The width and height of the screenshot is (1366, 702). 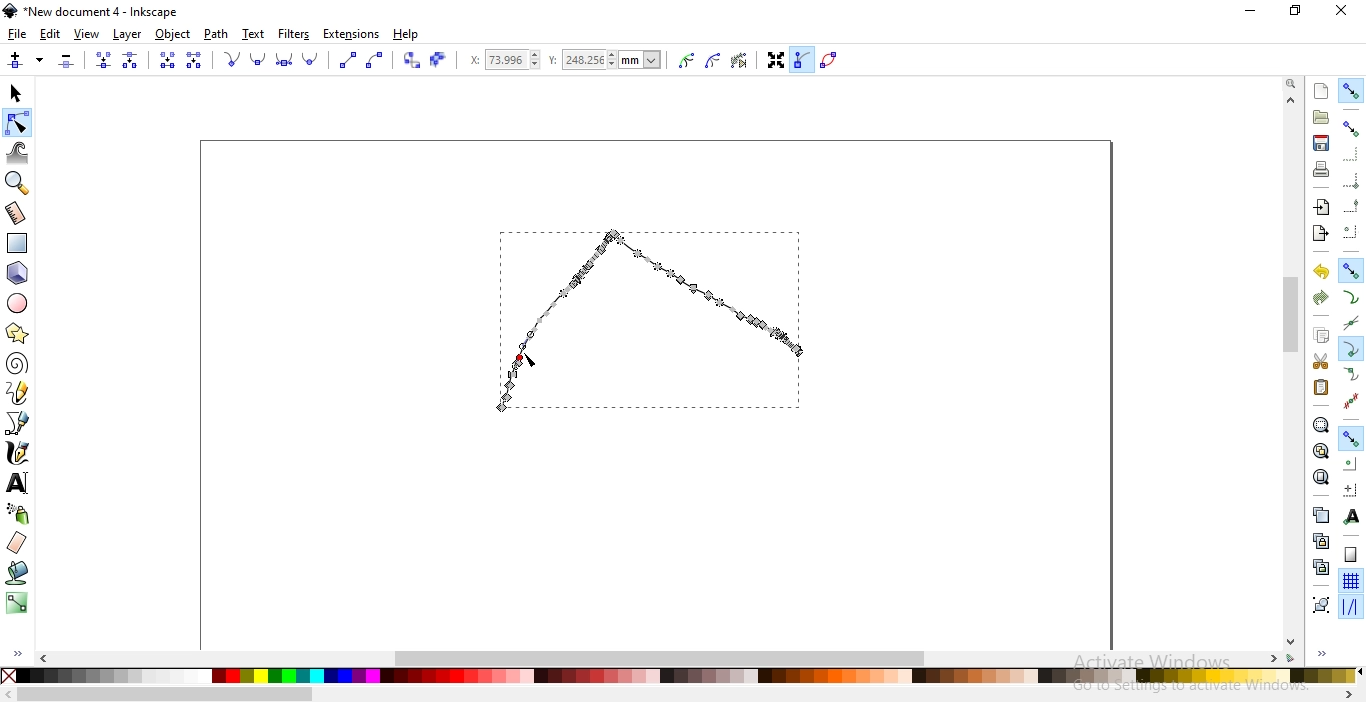 I want to click on break at selected nodes, so click(x=131, y=60).